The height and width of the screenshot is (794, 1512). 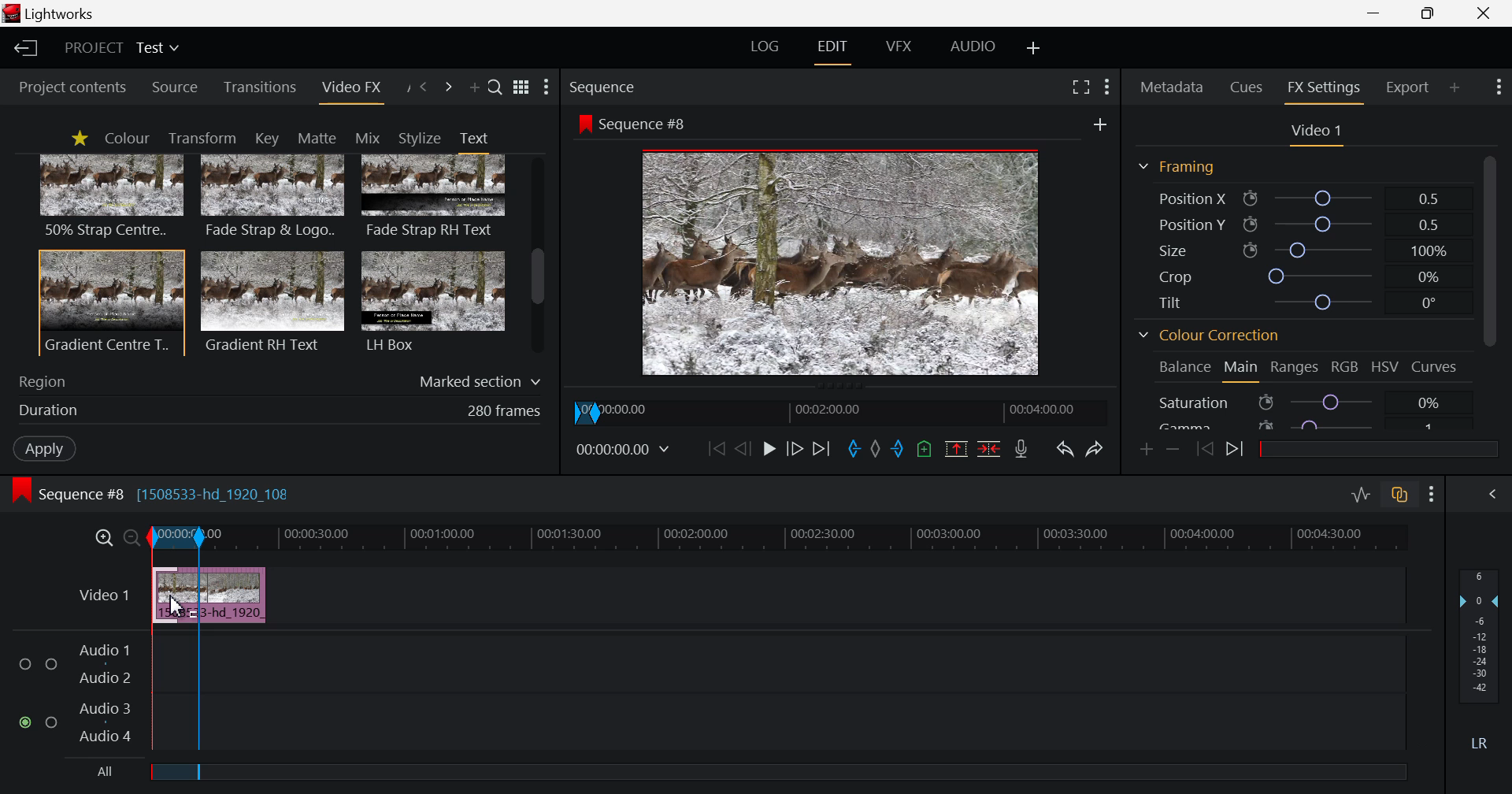 I want to click on Slip Change Made, so click(x=212, y=596).